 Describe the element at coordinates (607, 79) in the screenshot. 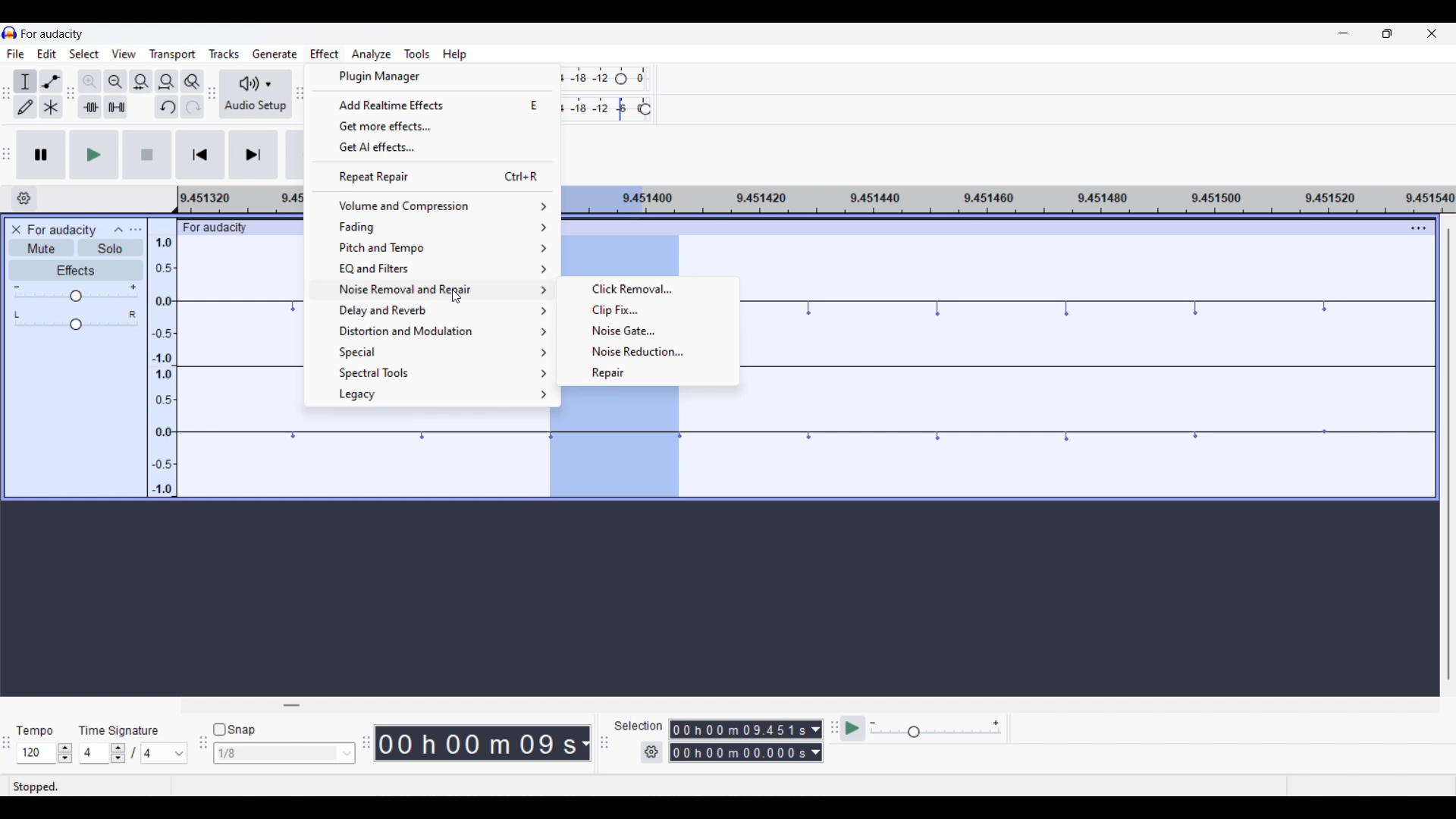

I see `Recoring level` at that location.